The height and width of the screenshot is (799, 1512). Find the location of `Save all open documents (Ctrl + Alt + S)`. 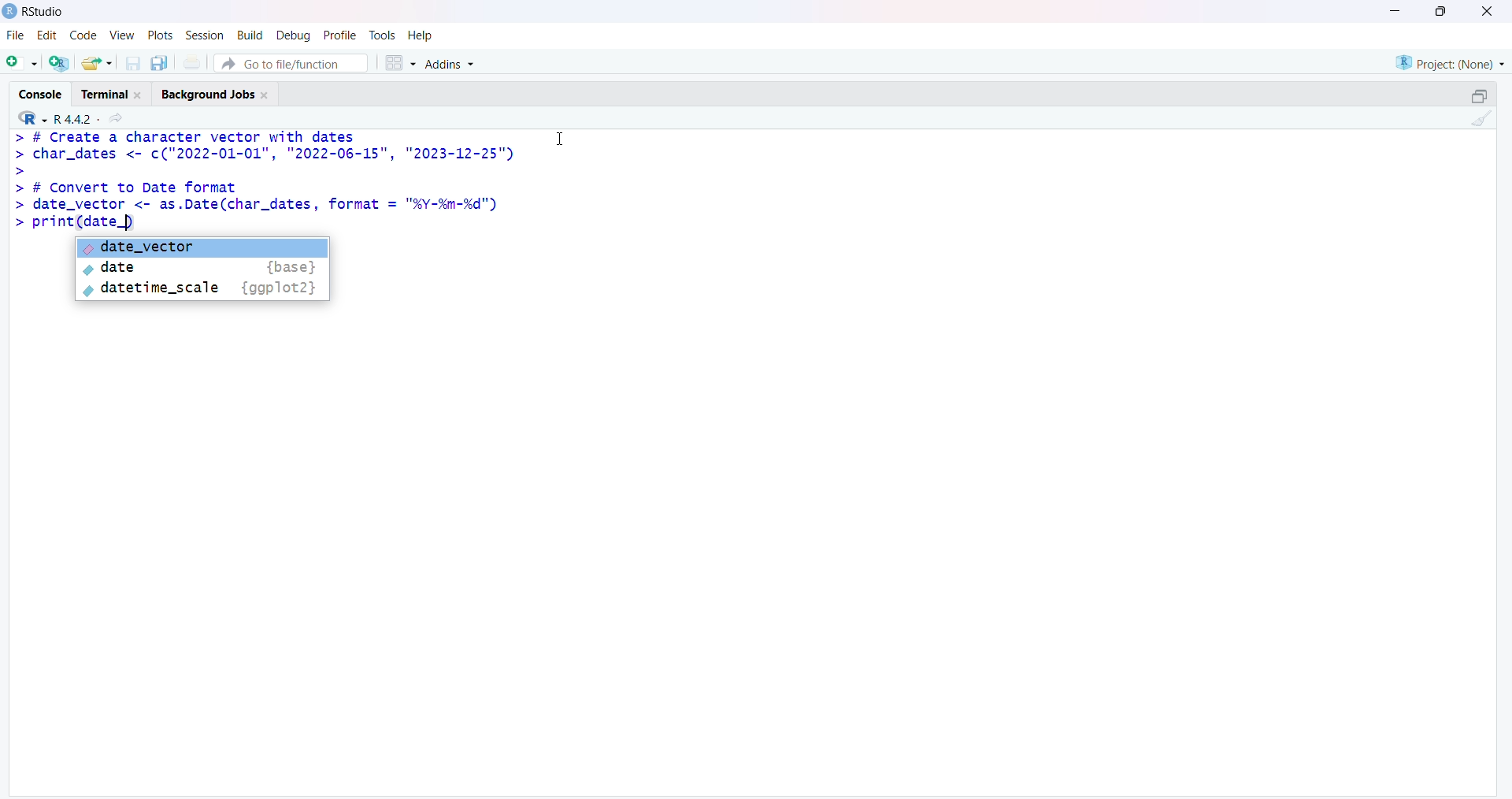

Save all open documents (Ctrl + Alt + S) is located at coordinates (164, 61).